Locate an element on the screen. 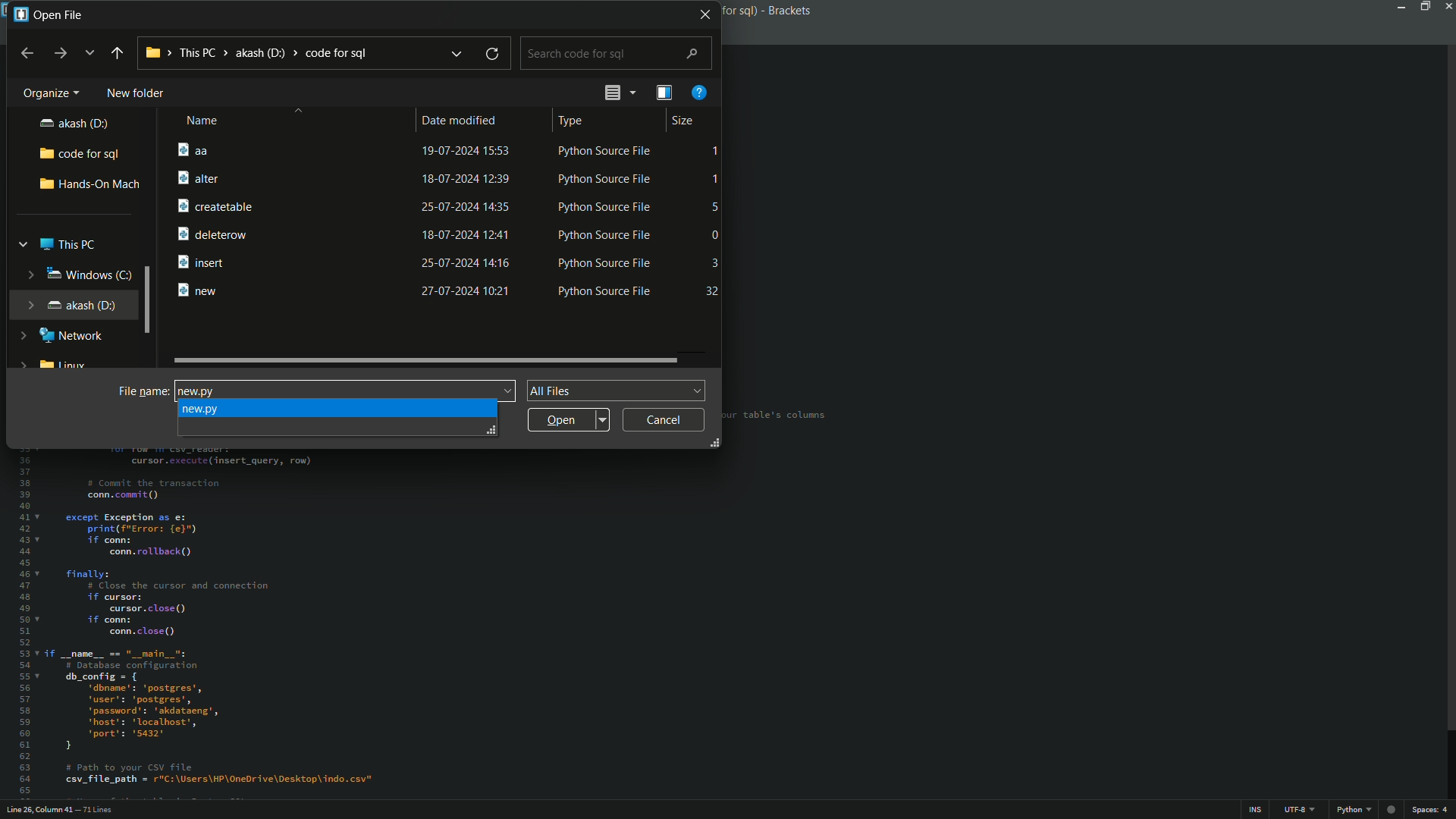 Image resolution: width=1456 pixels, height=819 pixels. 3 is located at coordinates (714, 260).